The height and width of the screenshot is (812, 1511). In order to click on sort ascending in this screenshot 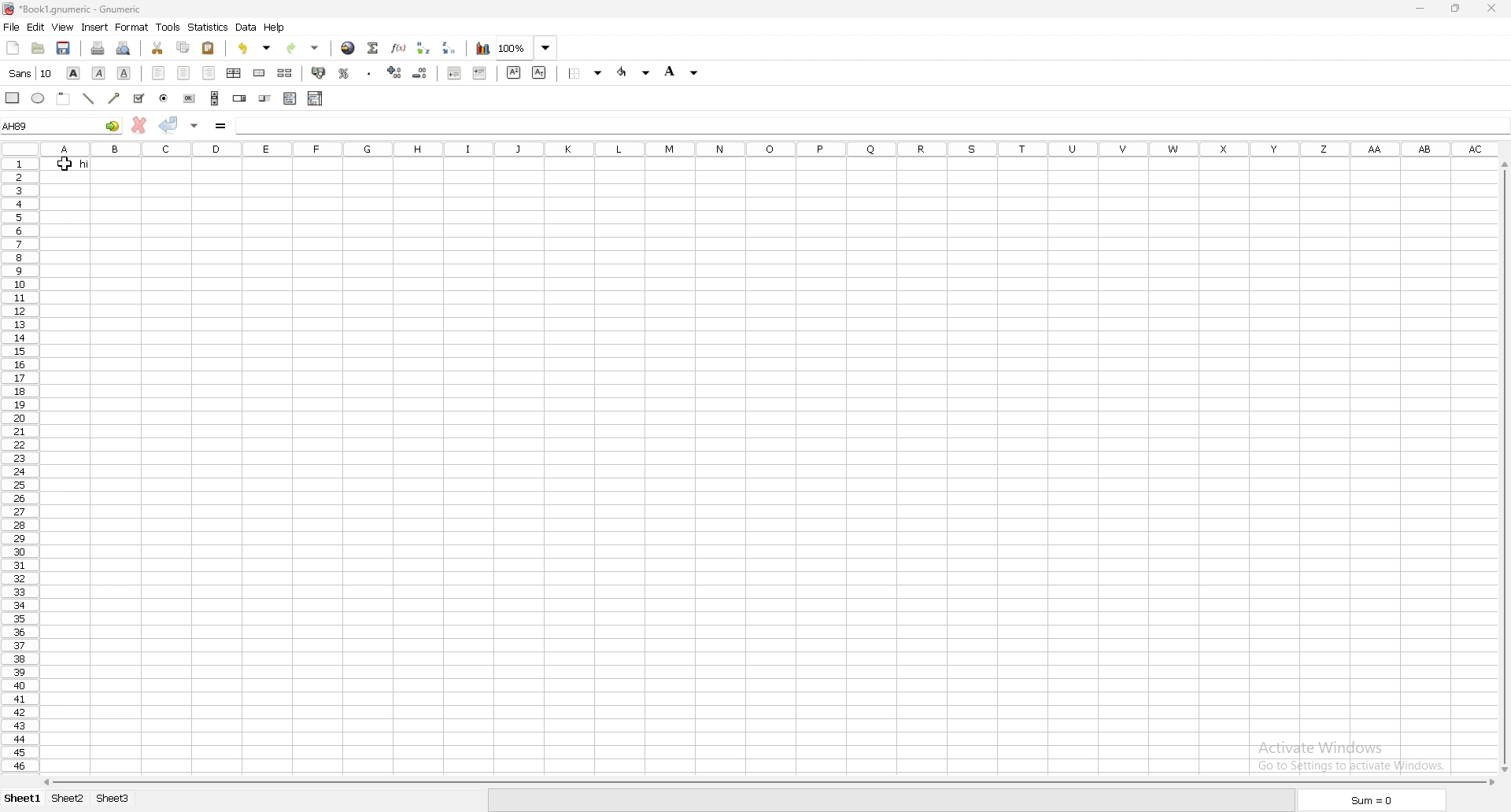, I will do `click(423, 47)`.